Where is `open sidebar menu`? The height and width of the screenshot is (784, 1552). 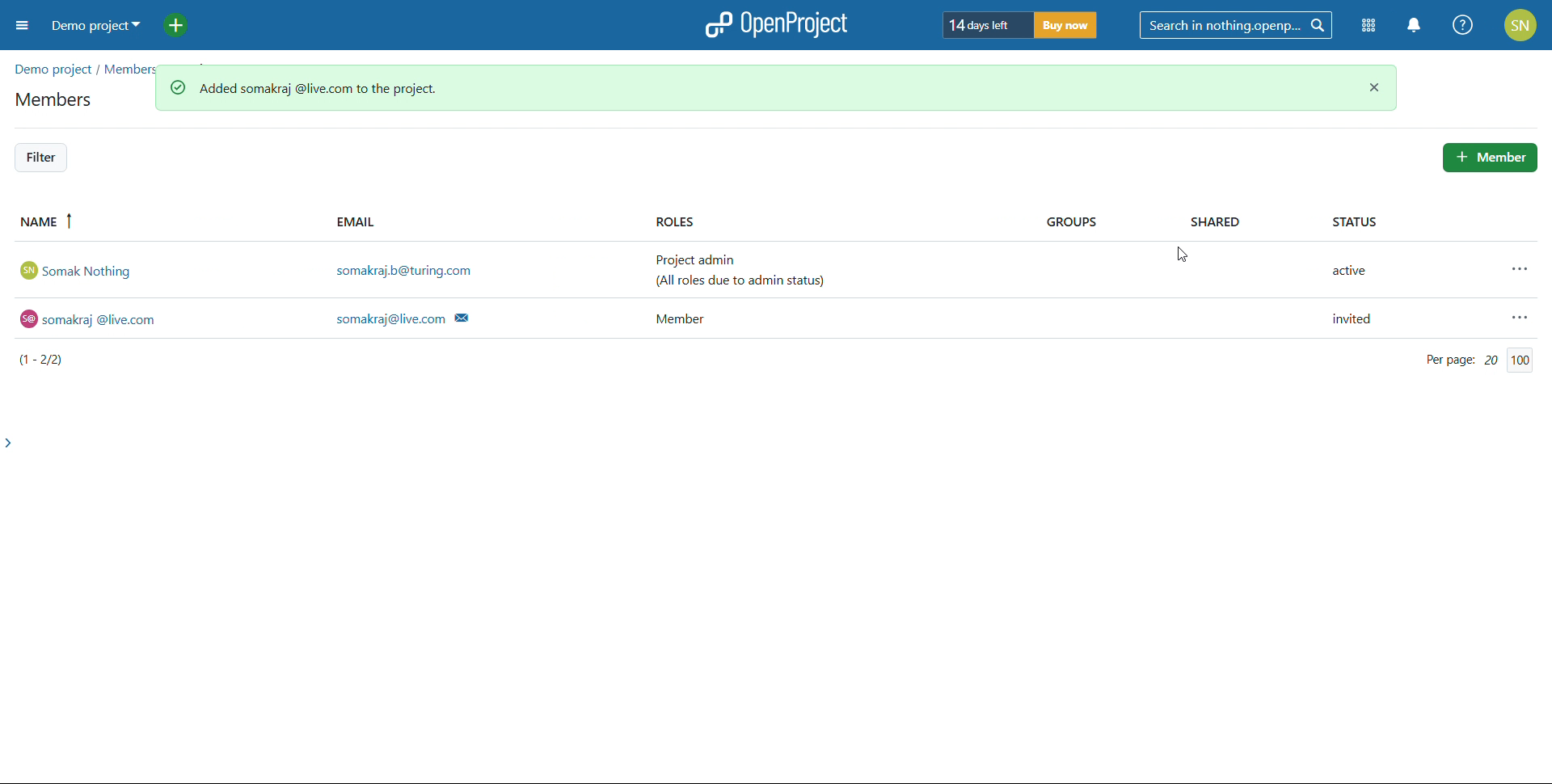 open sidebar menu is located at coordinates (22, 27).